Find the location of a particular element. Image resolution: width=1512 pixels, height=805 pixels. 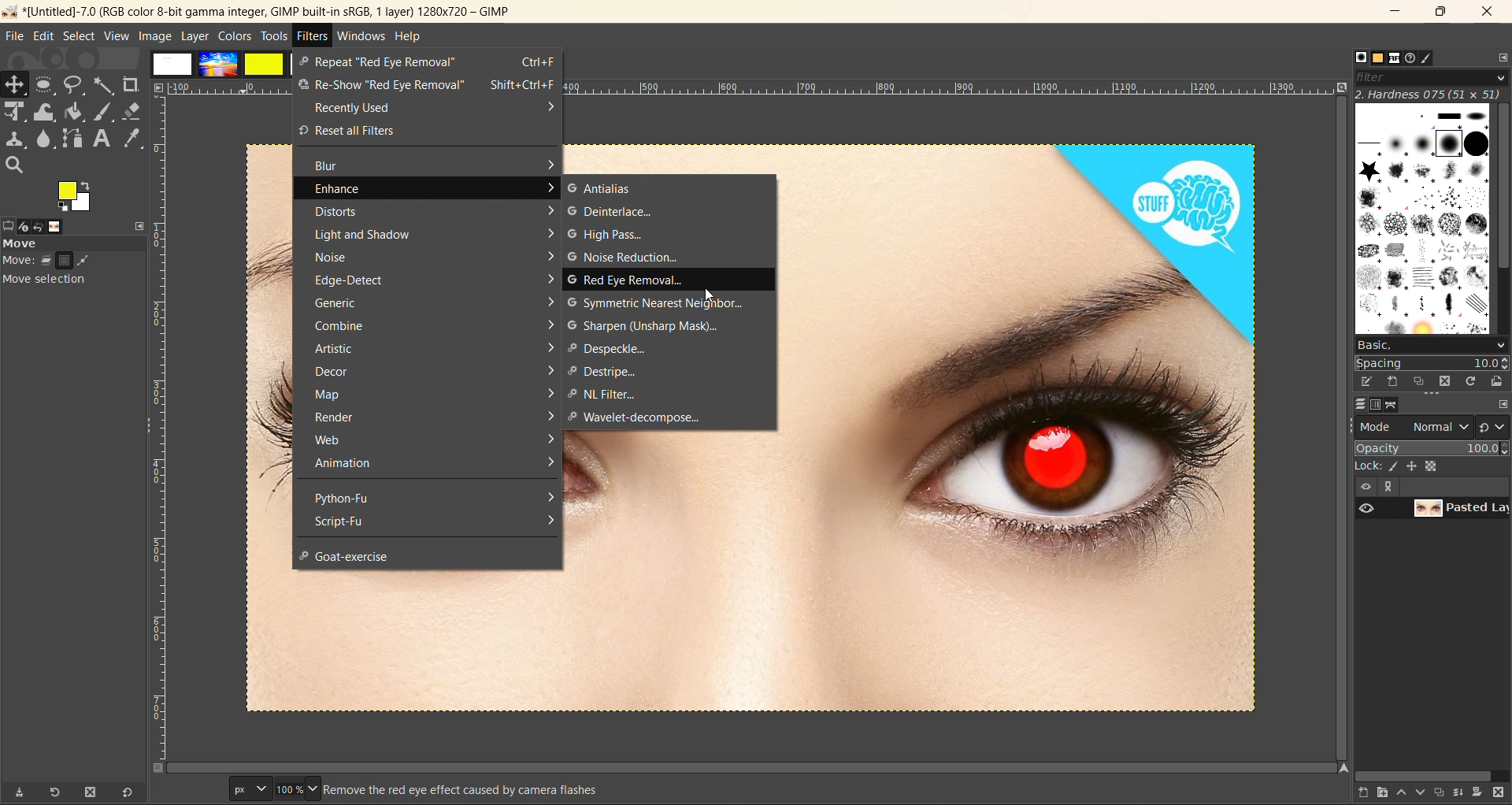

select is located at coordinates (78, 35).